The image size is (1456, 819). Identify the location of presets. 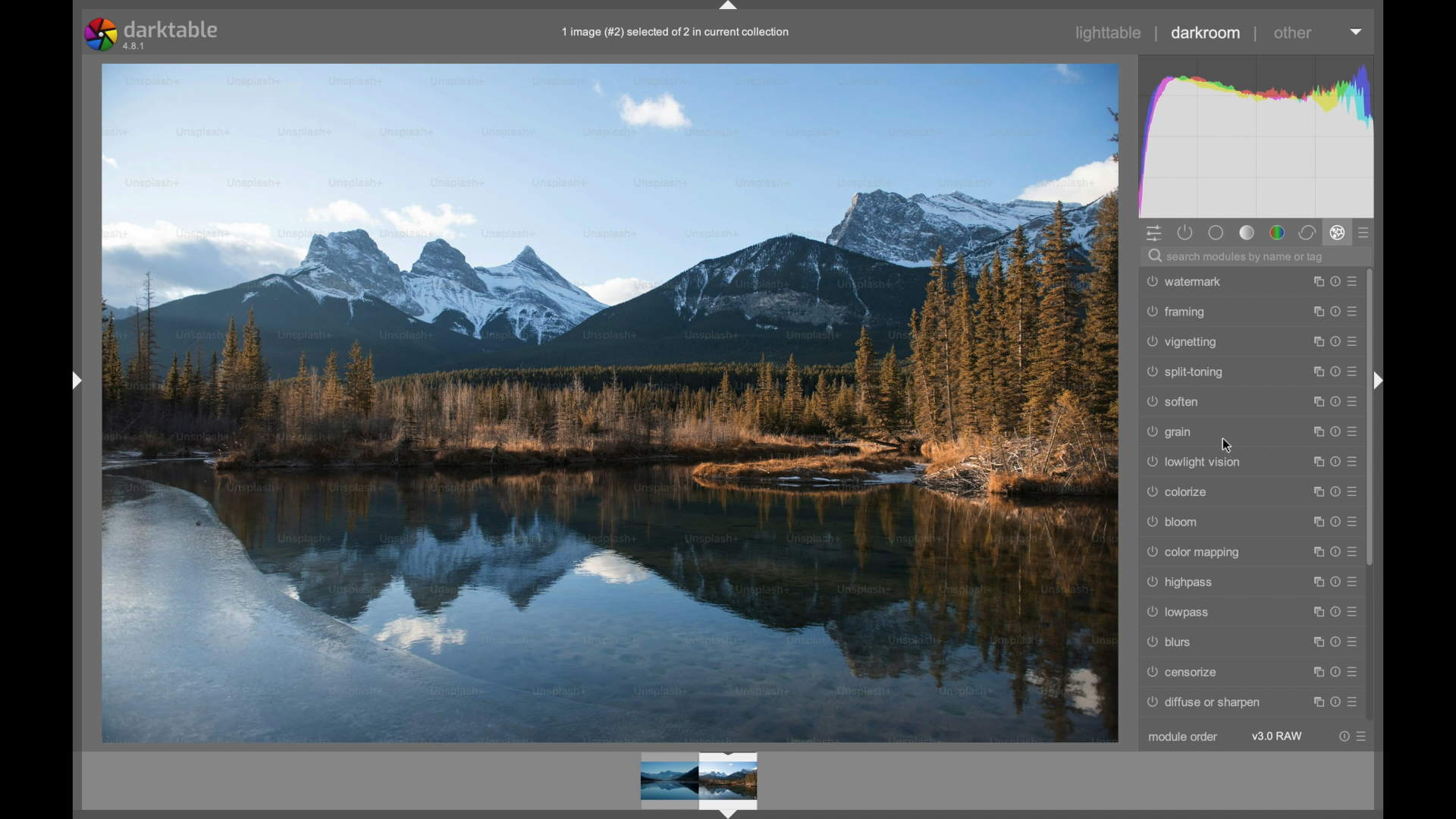
(1358, 641).